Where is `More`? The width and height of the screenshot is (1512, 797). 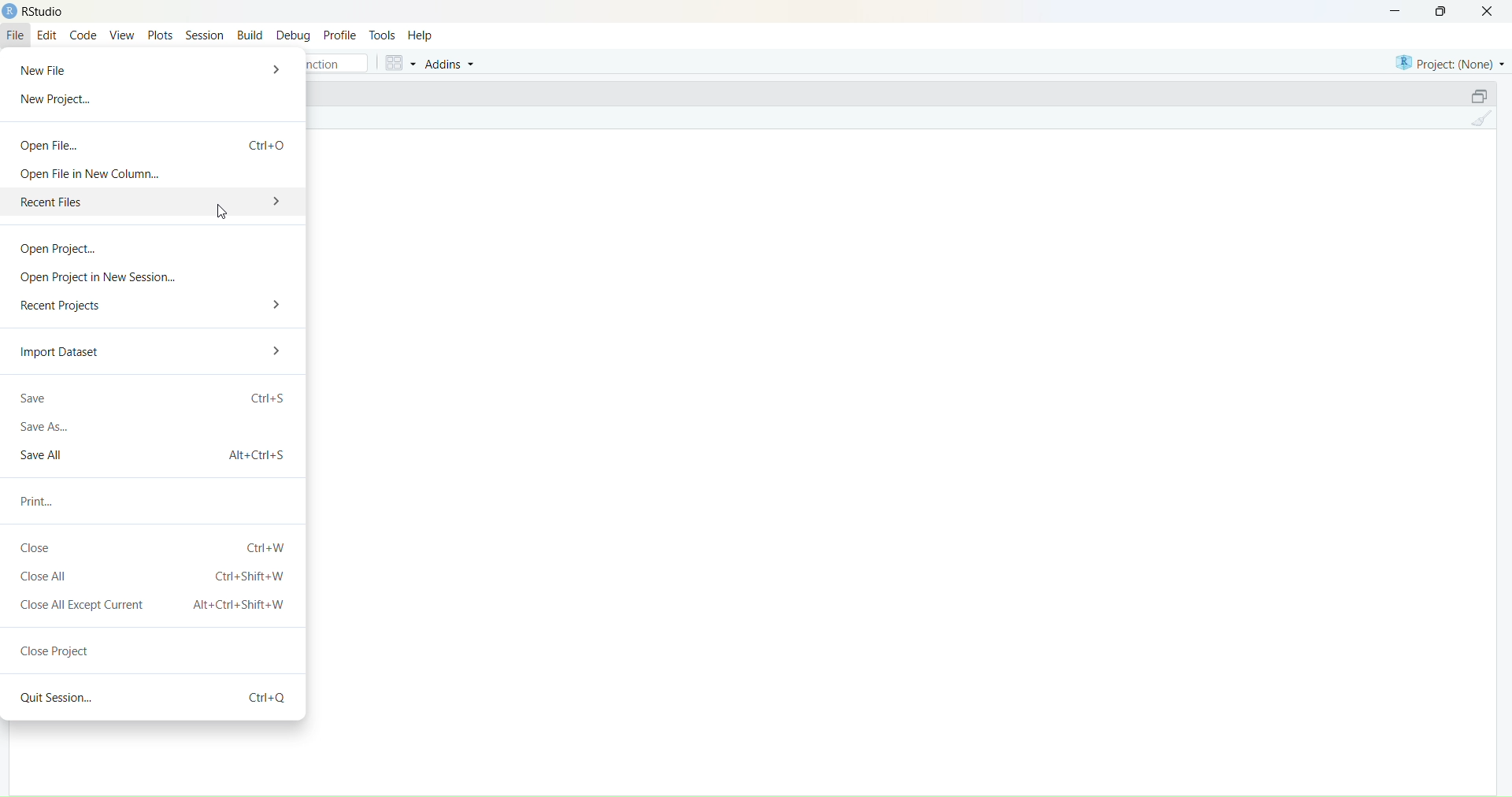
More is located at coordinates (283, 352).